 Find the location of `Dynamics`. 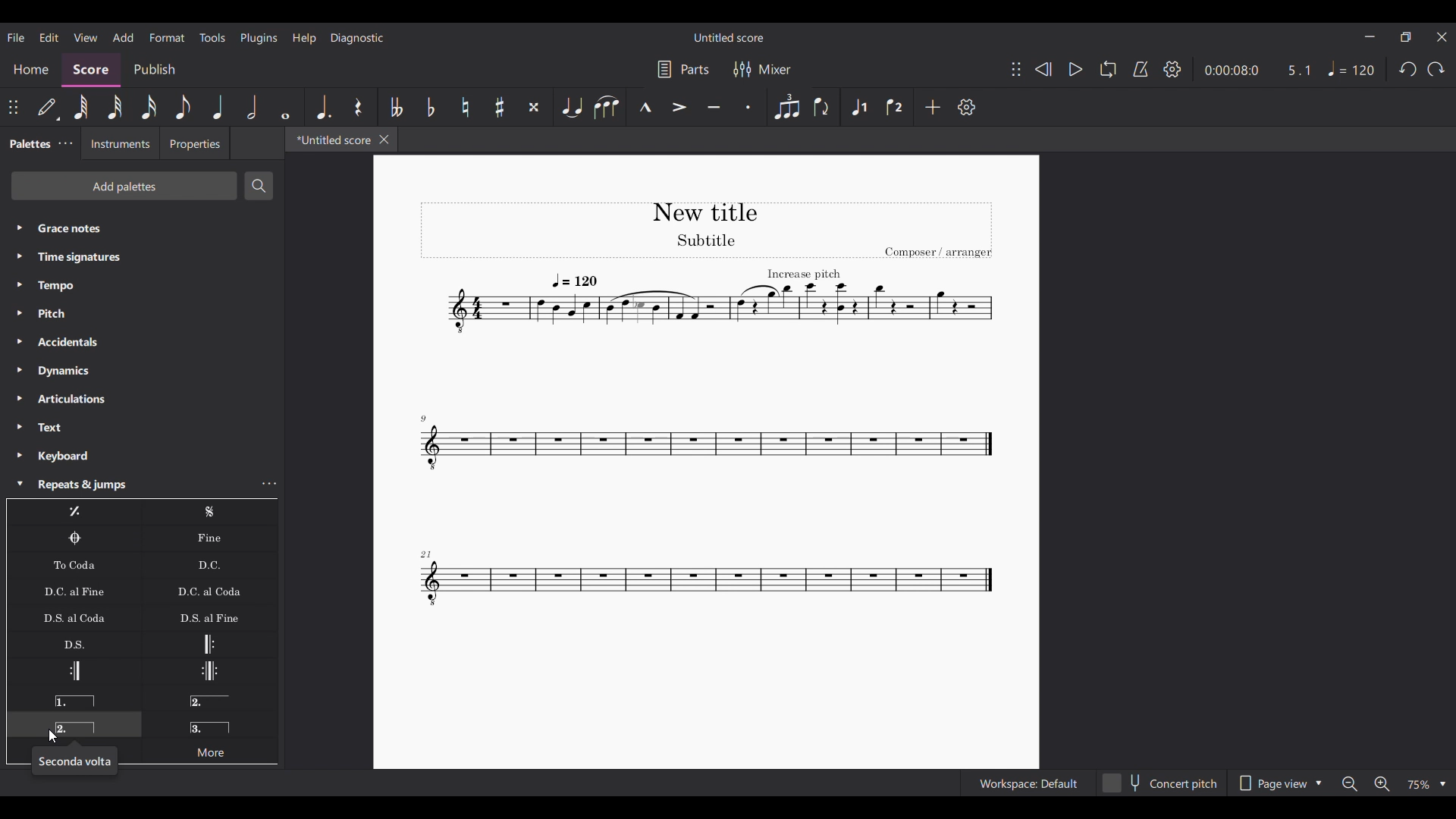

Dynamics is located at coordinates (142, 371).